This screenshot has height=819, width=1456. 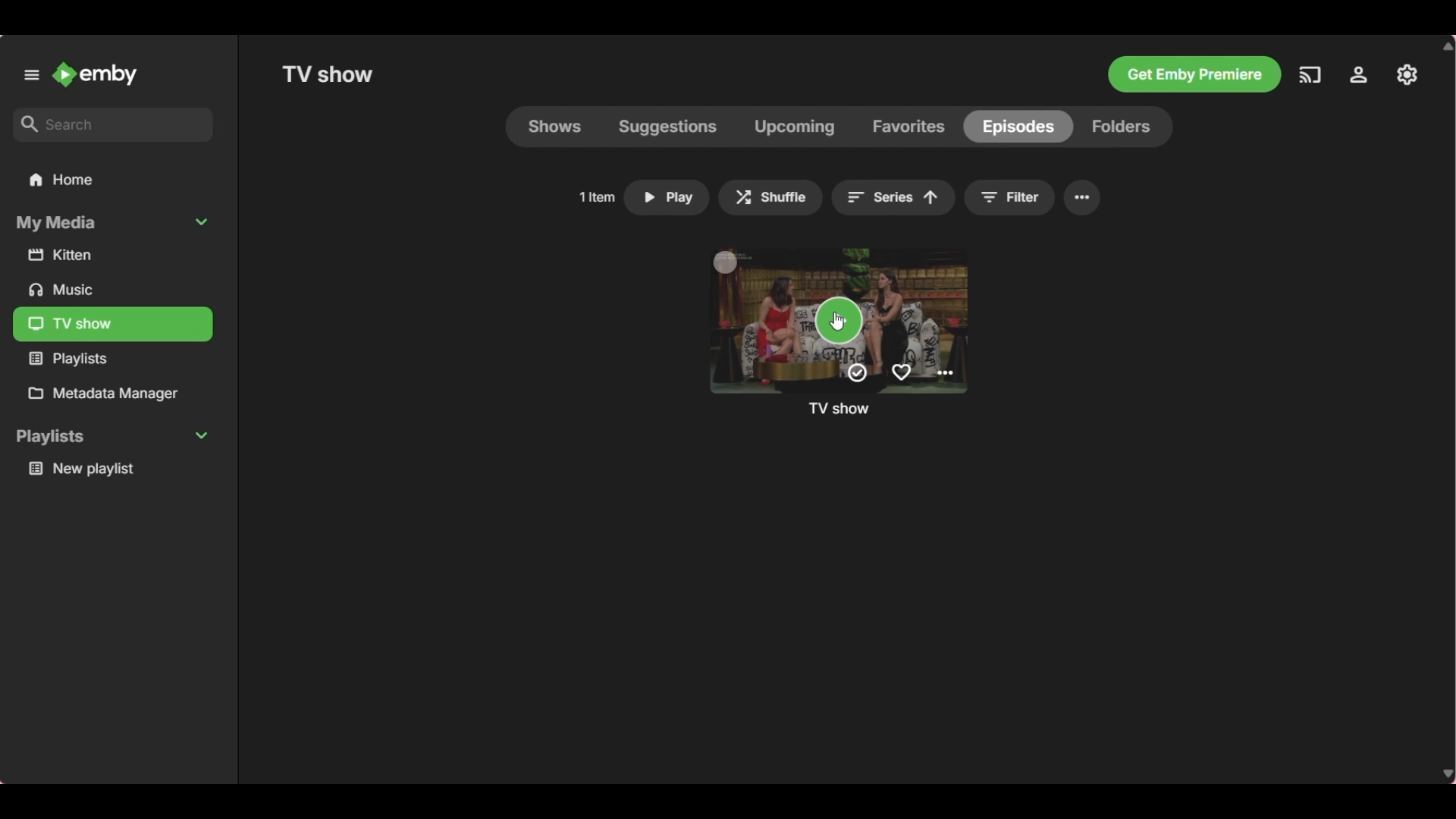 I want to click on Type in search, so click(x=113, y=125).